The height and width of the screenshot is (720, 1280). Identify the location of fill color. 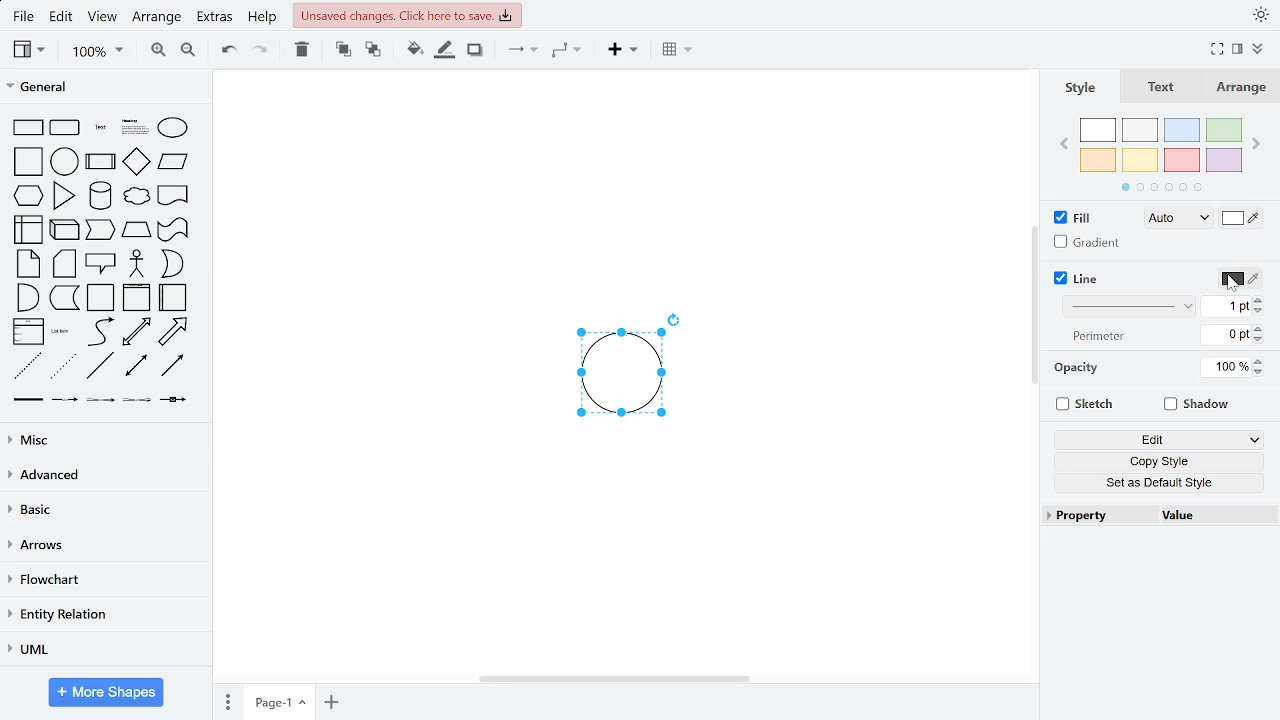
(415, 51).